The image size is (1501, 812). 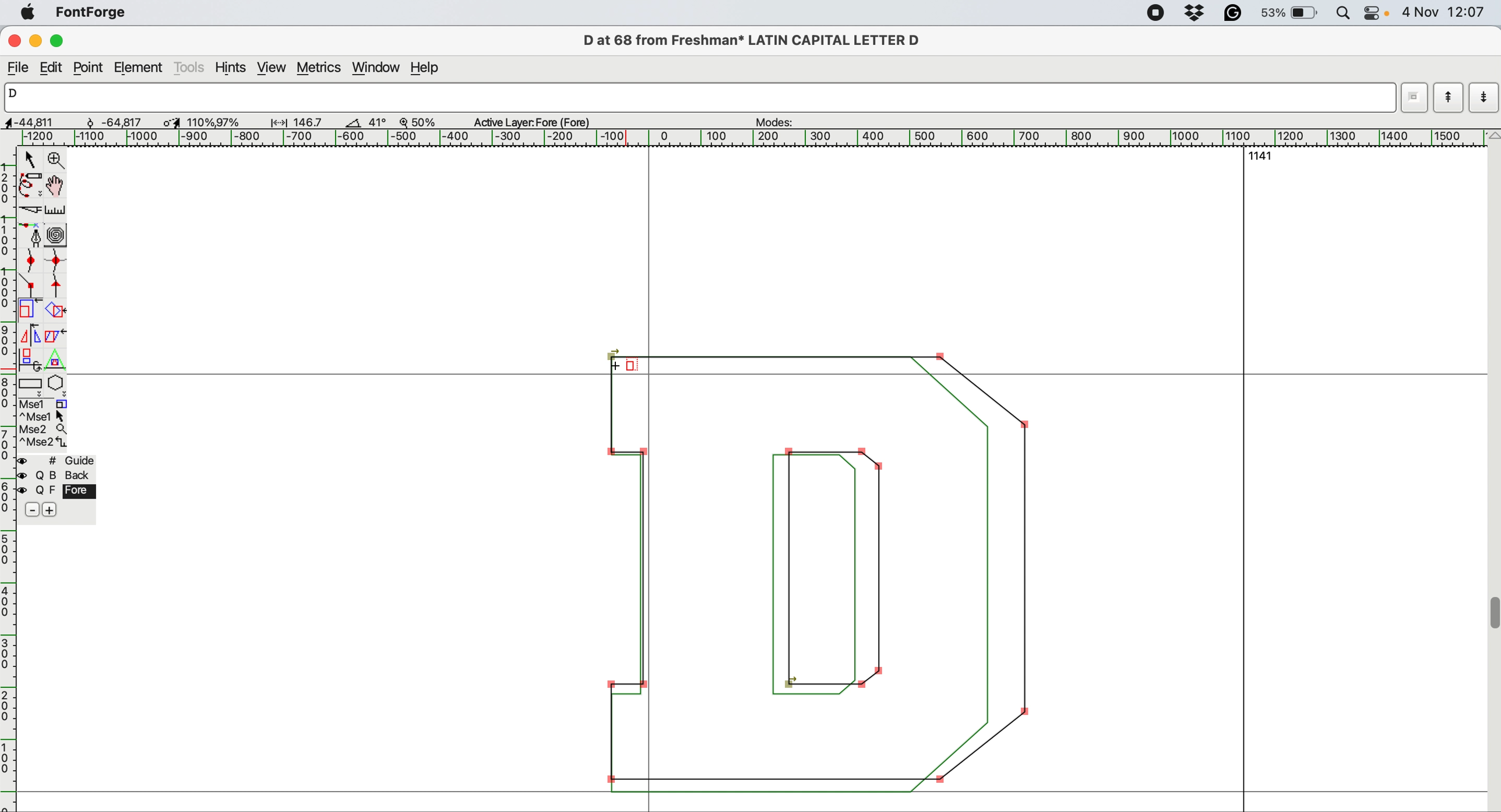 I want to click on Mse2, so click(x=46, y=429).